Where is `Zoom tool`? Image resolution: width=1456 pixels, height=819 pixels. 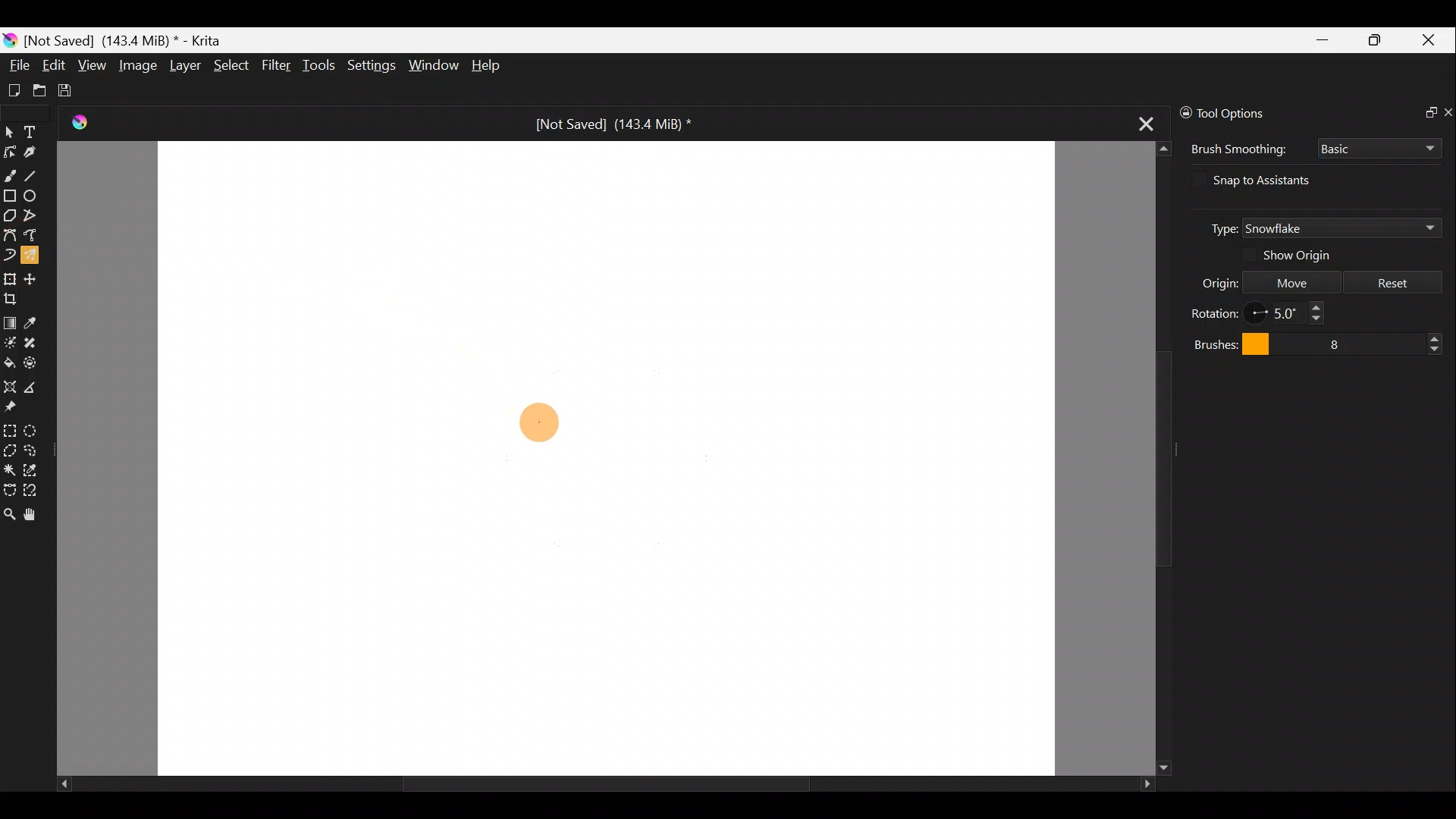 Zoom tool is located at coordinates (9, 516).